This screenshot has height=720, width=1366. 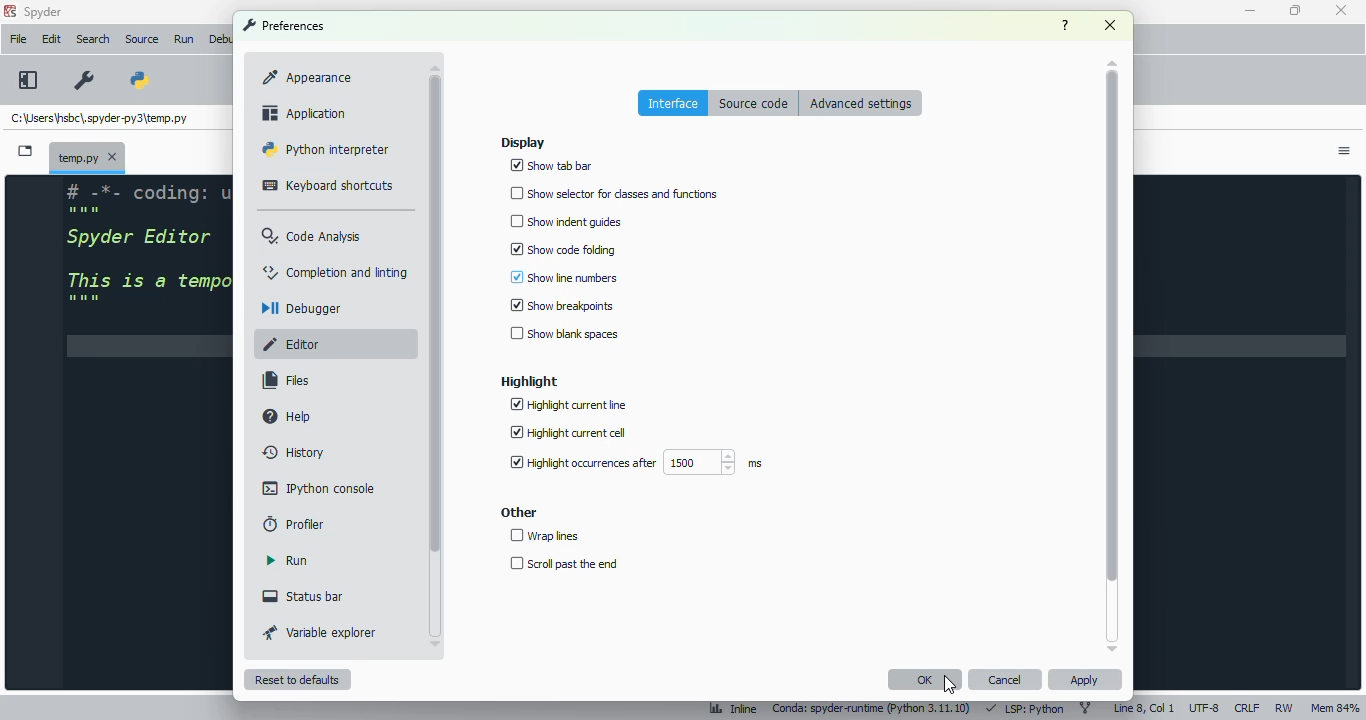 What do you see at coordinates (326, 149) in the screenshot?
I see `python interpreter` at bounding box center [326, 149].